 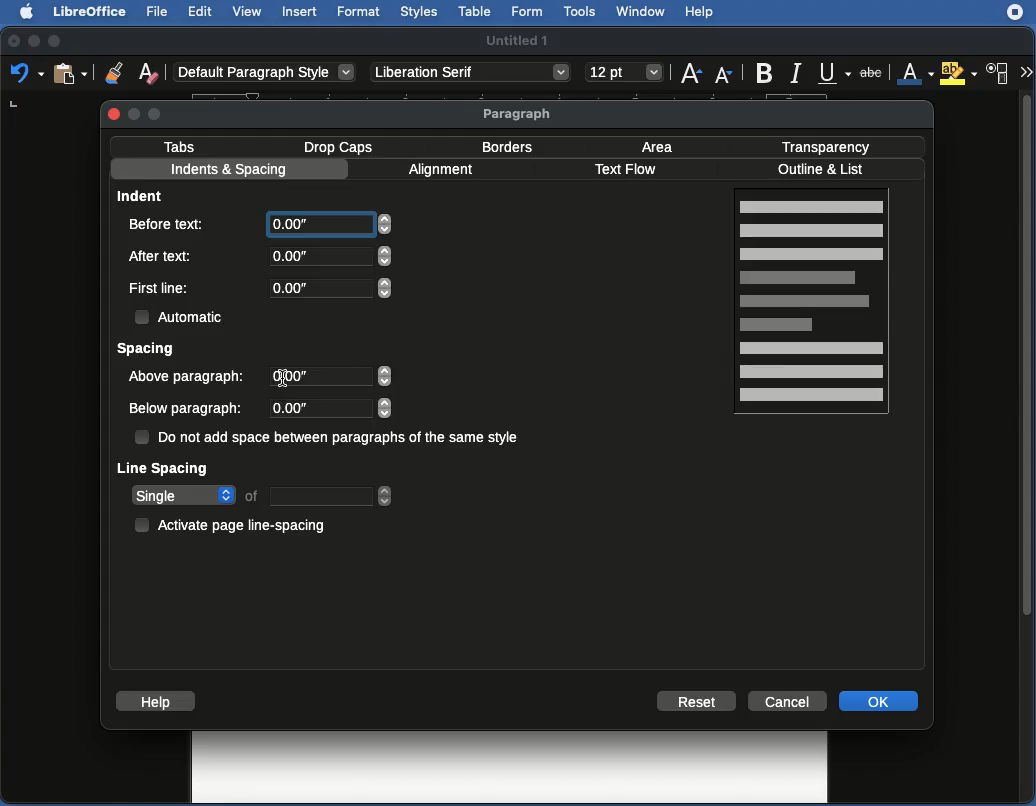 What do you see at coordinates (519, 39) in the screenshot?
I see `Untitled 1` at bounding box center [519, 39].